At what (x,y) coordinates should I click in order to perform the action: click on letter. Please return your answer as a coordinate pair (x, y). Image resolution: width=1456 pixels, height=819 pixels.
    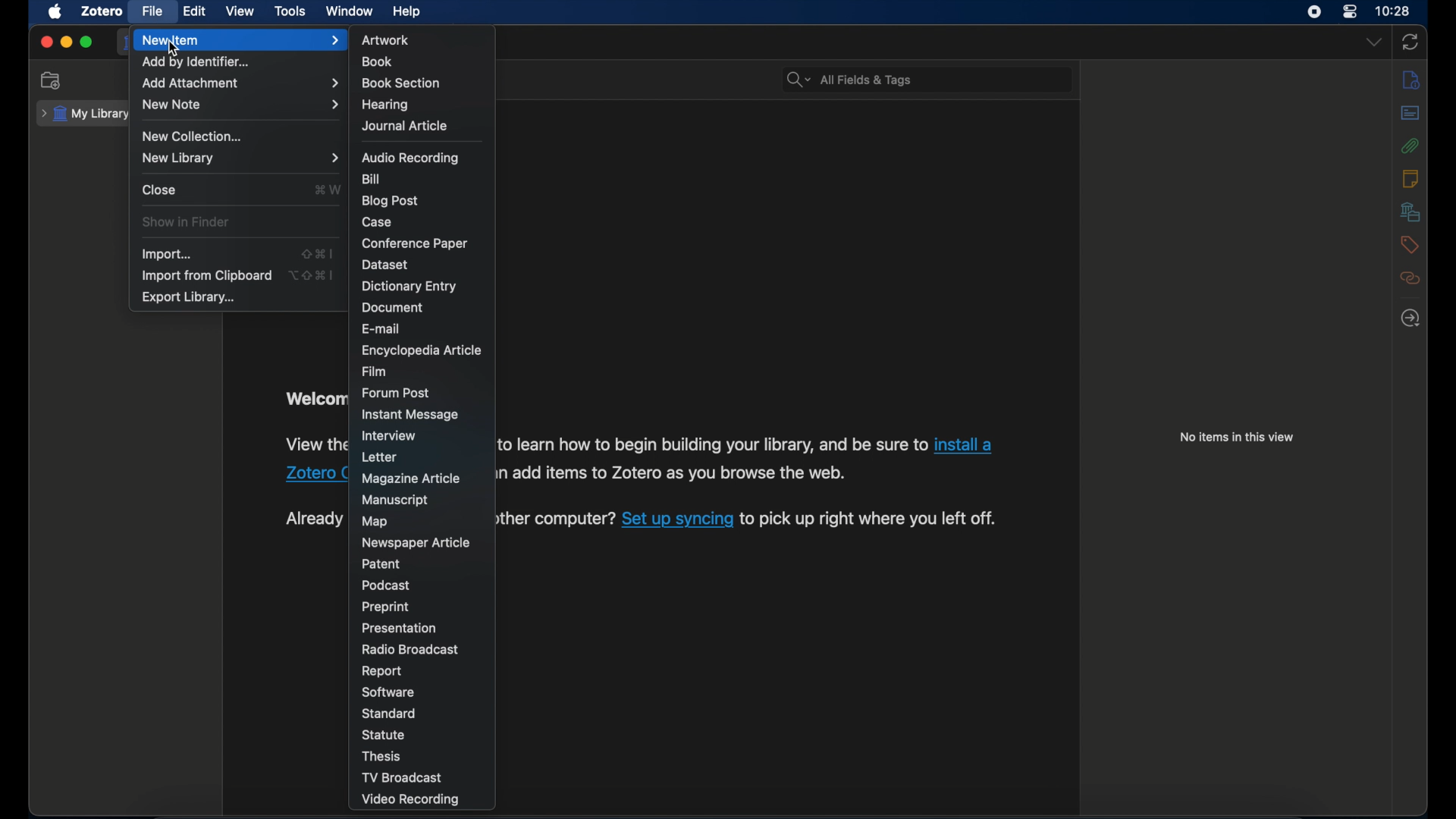
    Looking at the image, I should click on (381, 457).